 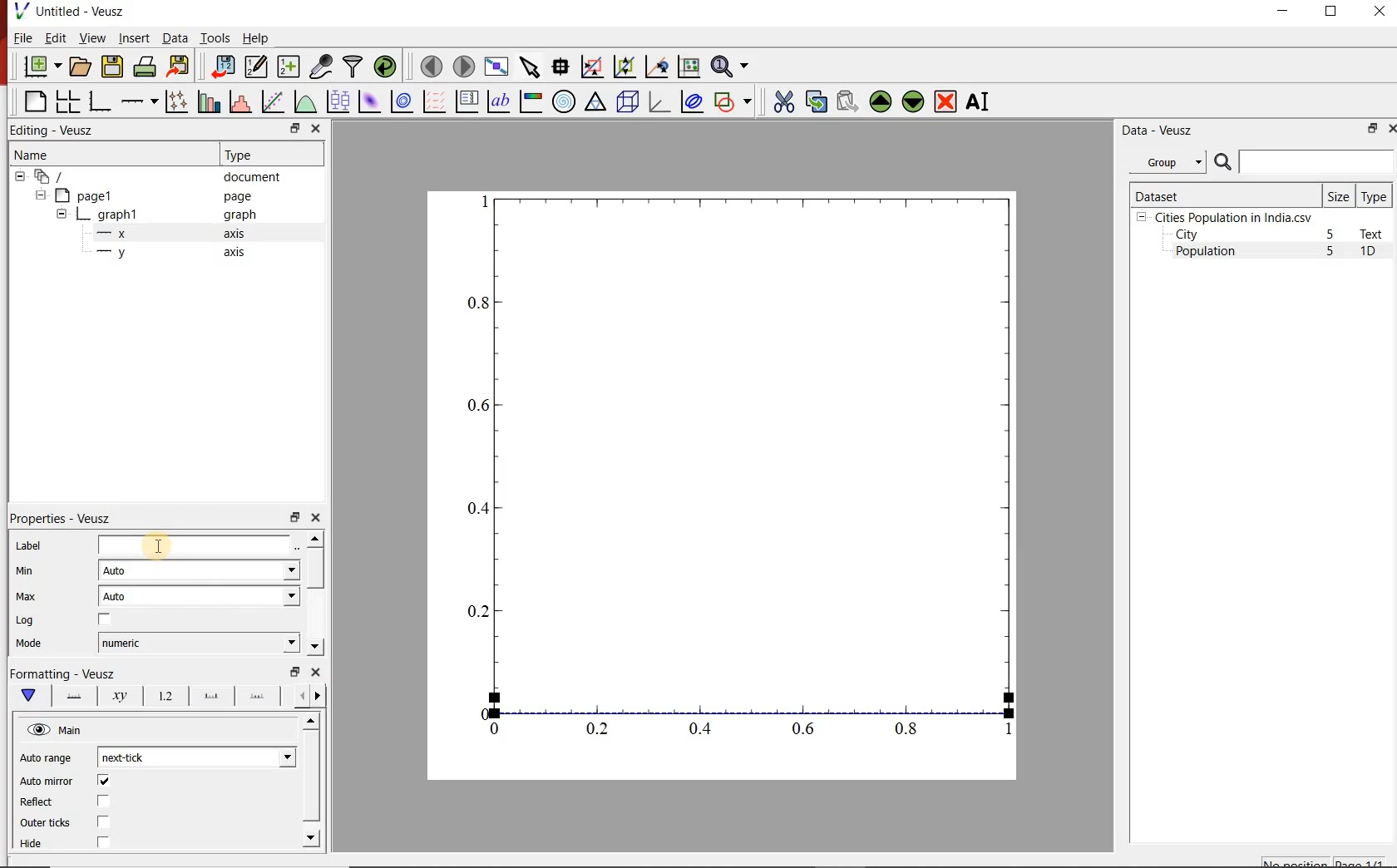 What do you see at coordinates (595, 102) in the screenshot?
I see `Ternary graph` at bounding box center [595, 102].